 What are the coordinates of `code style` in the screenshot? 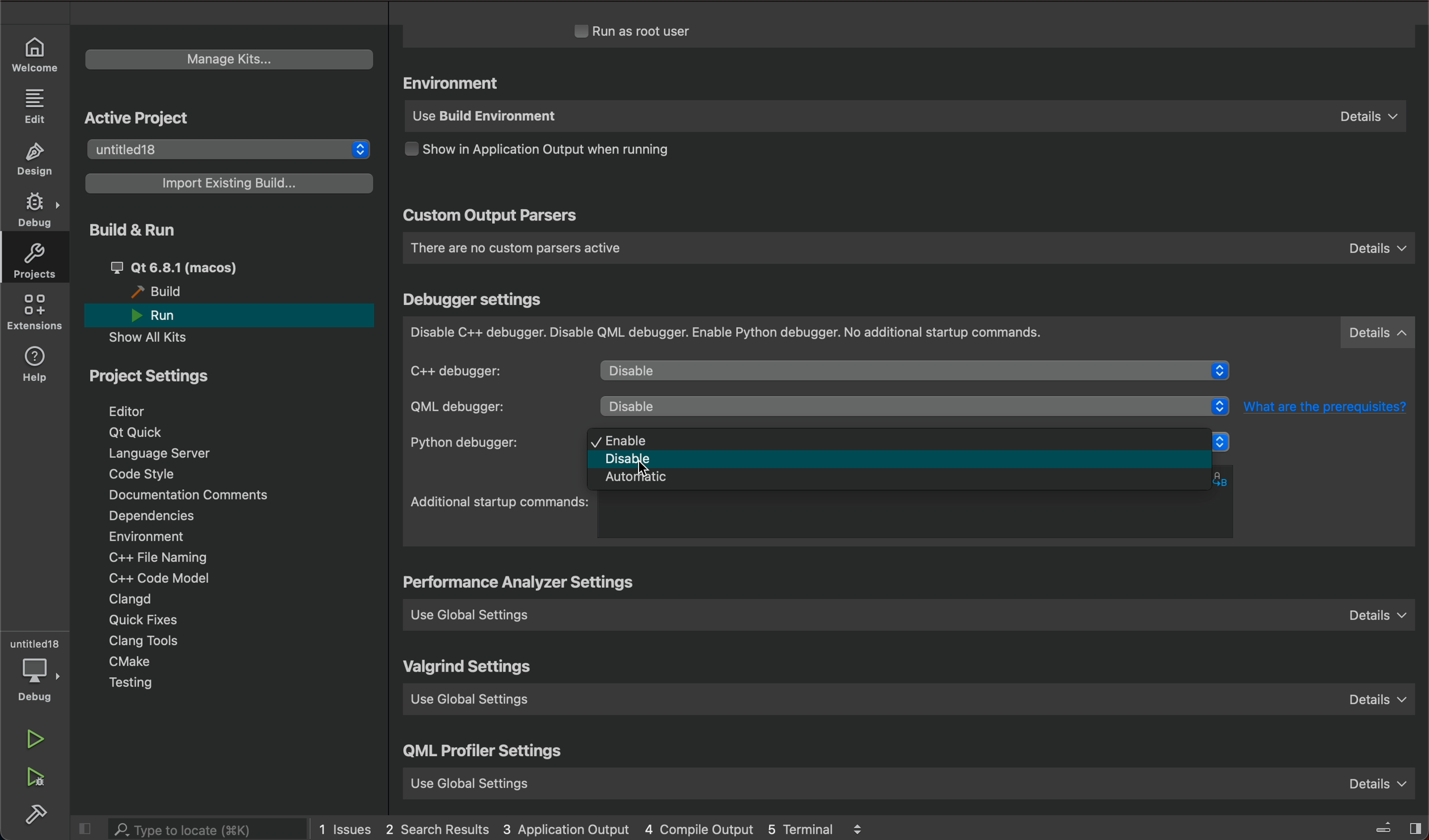 It's located at (144, 476).